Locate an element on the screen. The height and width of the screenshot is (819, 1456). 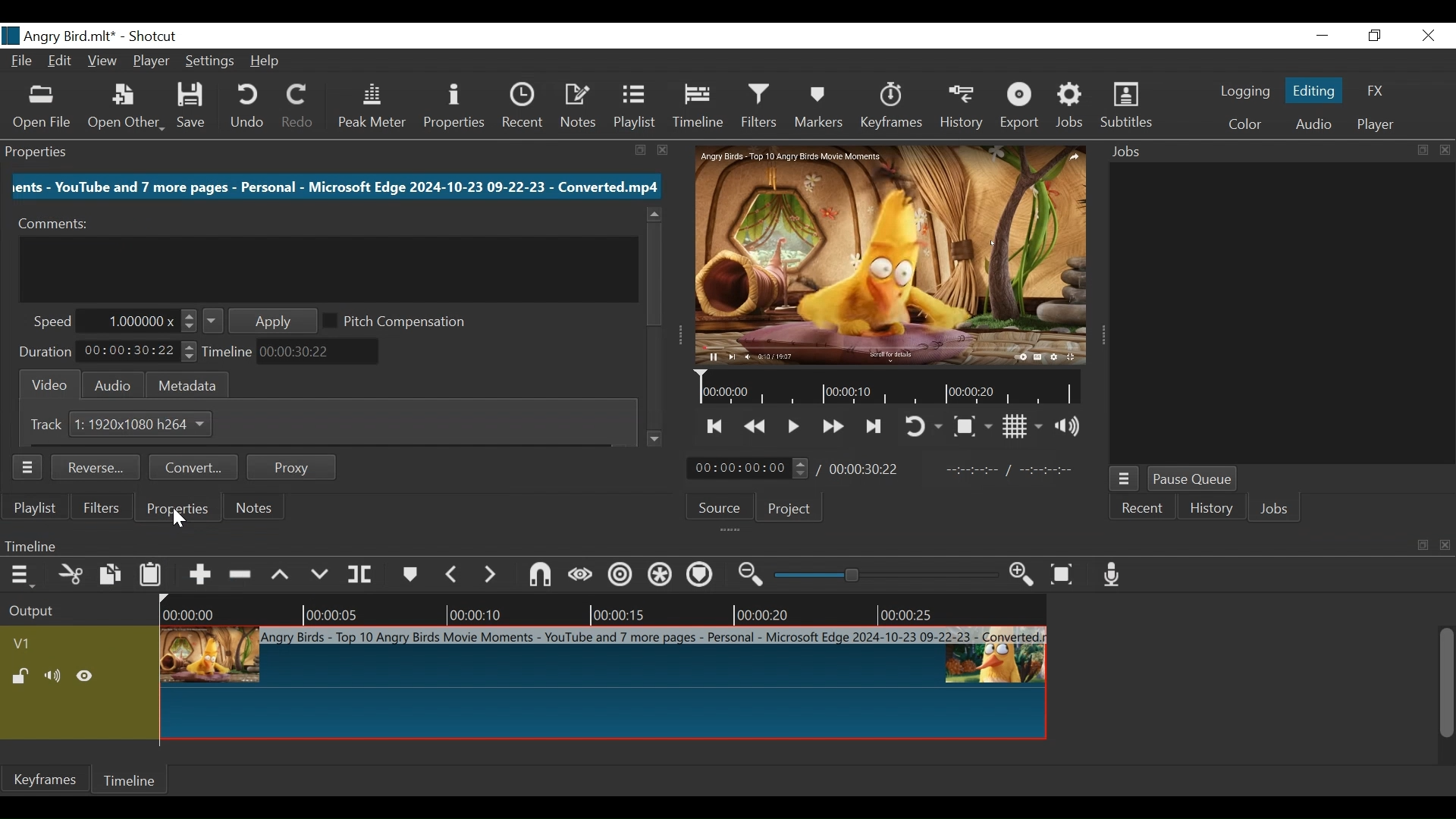
Current duration is located at coordinates (750, 467).